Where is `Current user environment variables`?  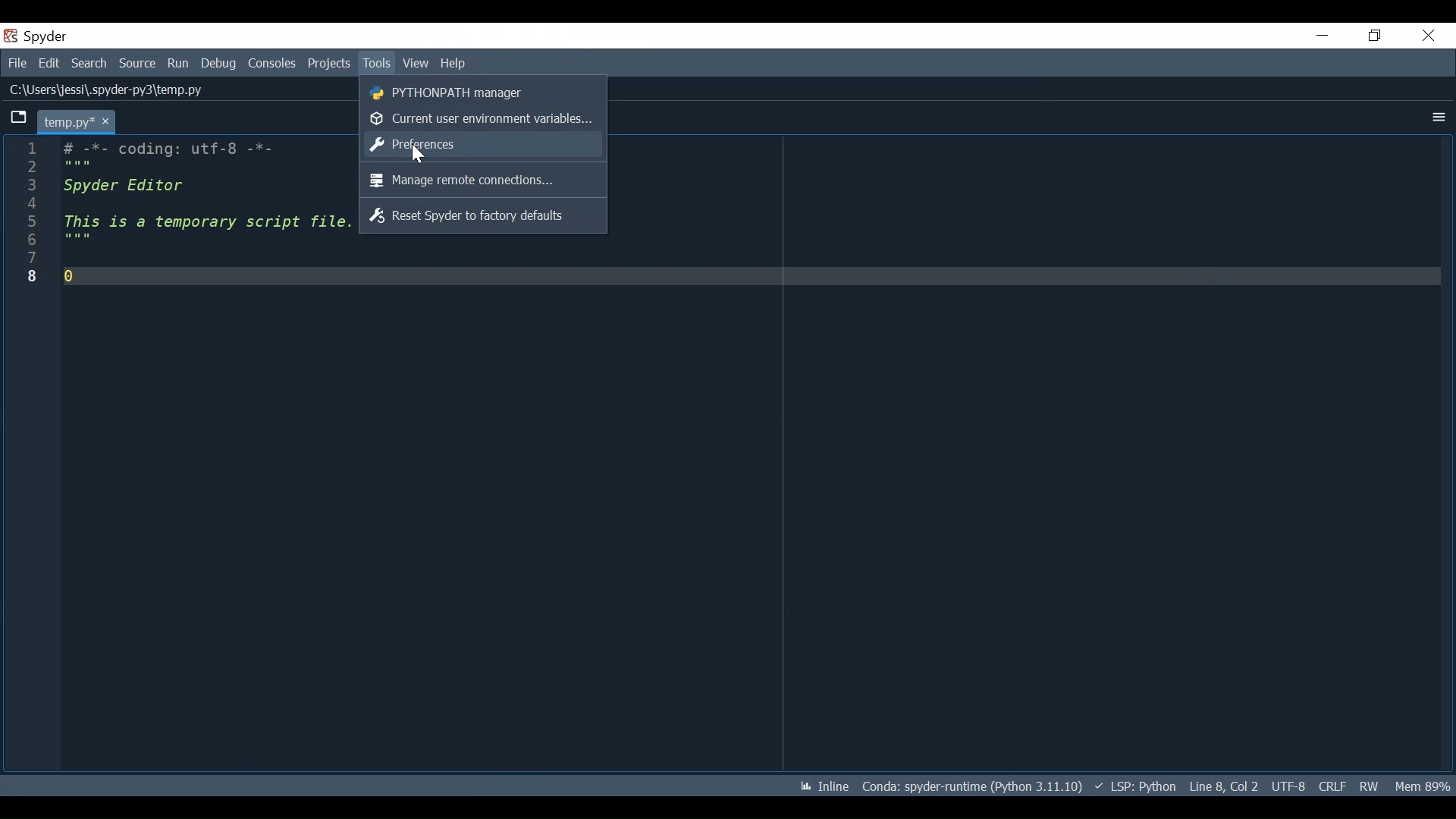 Current user environment variables is located at coordinates (485, 119).